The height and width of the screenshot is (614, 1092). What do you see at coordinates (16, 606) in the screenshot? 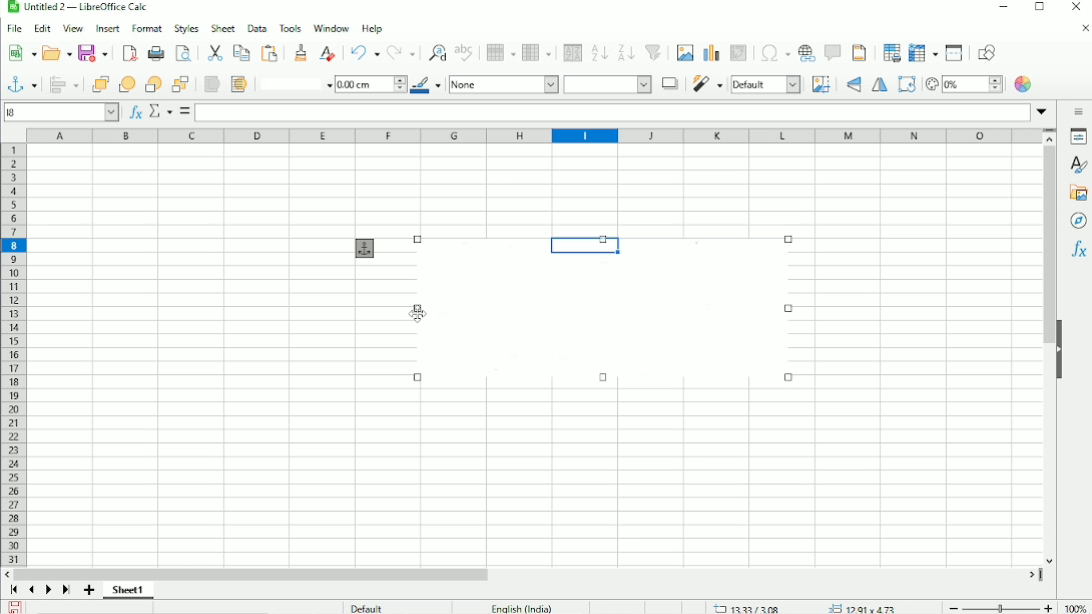
I see `Save` at bounding box center [16, 606].